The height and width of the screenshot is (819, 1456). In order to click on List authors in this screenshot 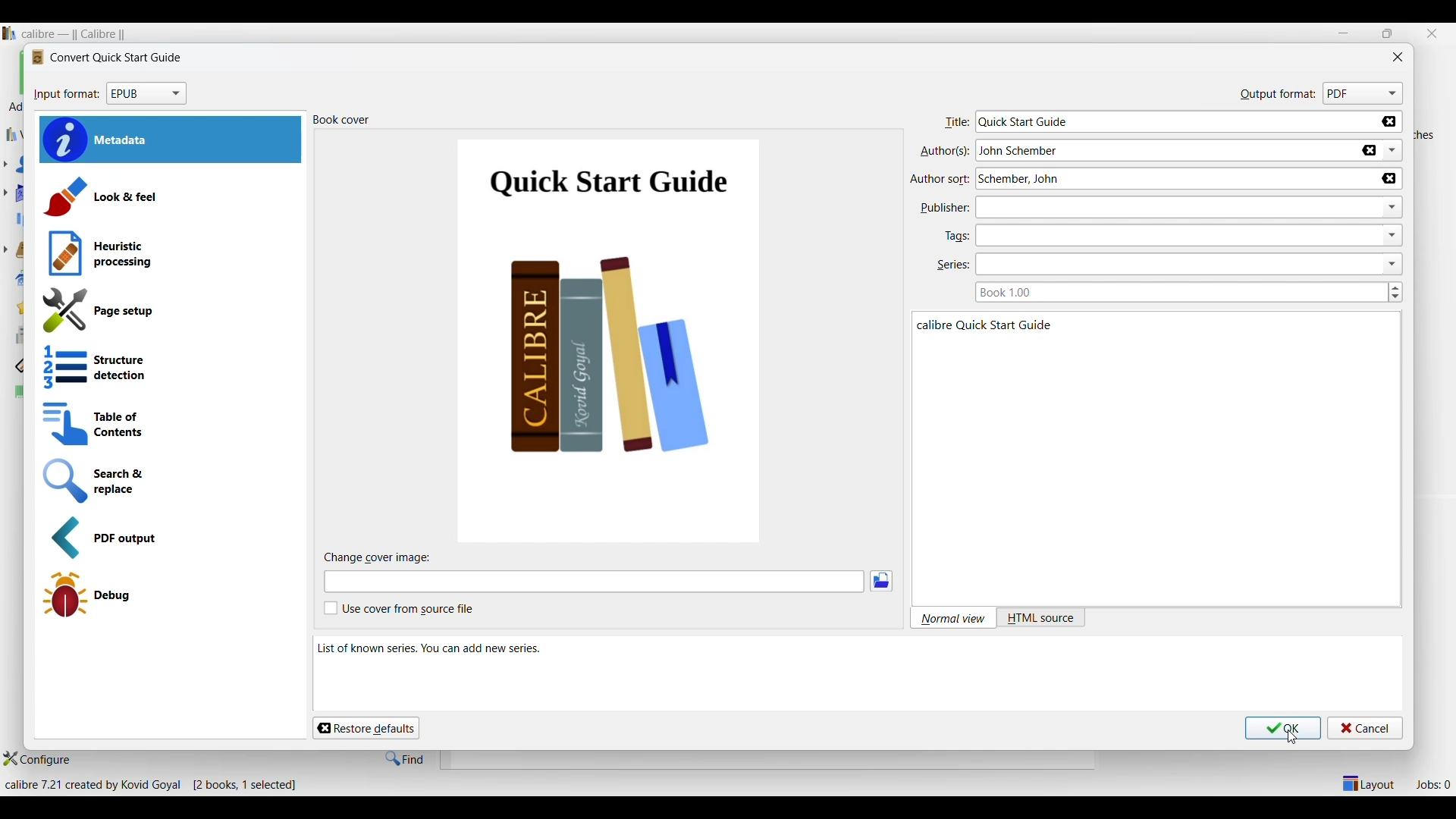, I will do `click(1393, 150)`.